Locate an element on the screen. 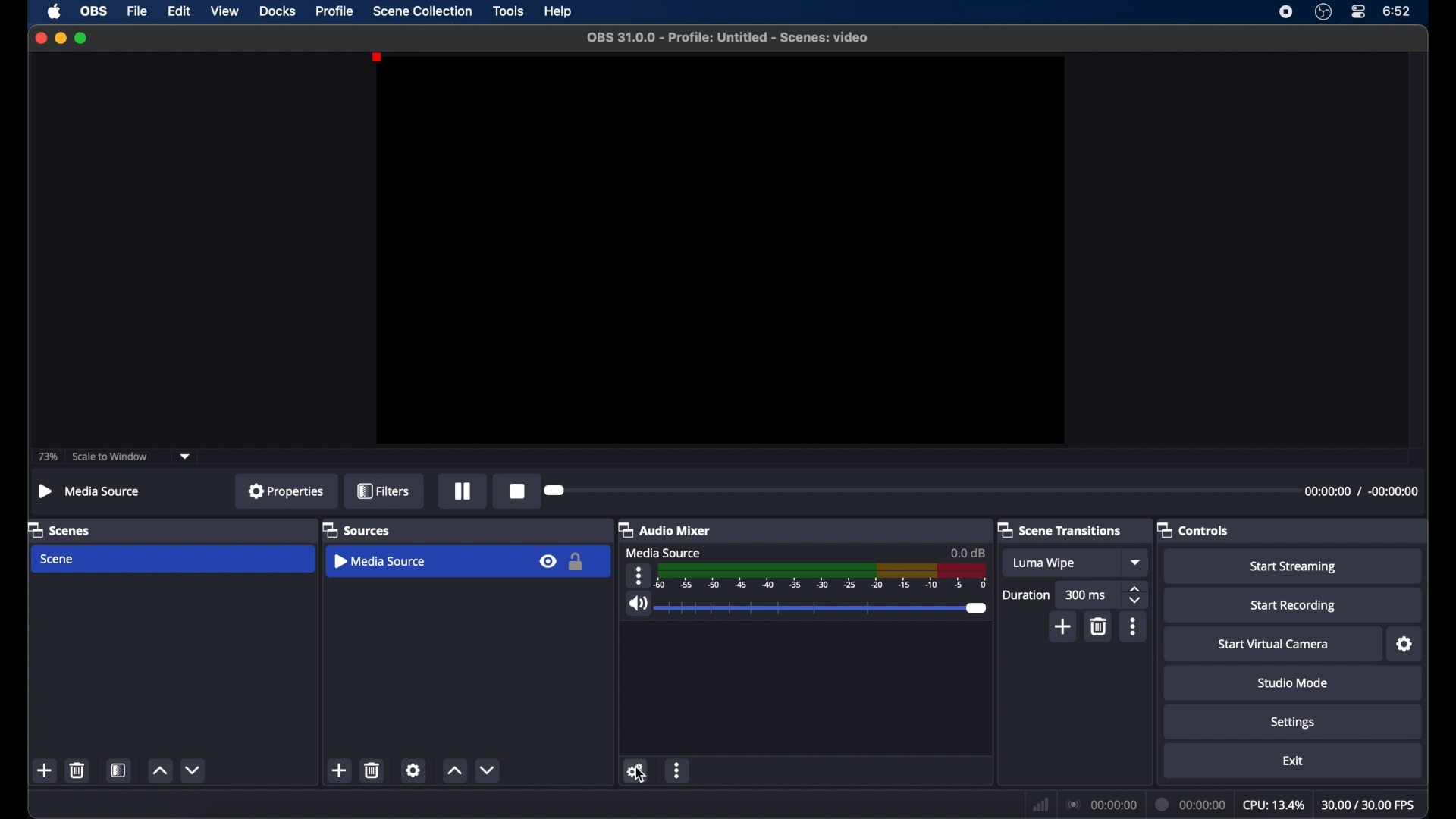 This screenshot has height=819, width=1456. screen recorder icon is located at coordinates (1286, 11).